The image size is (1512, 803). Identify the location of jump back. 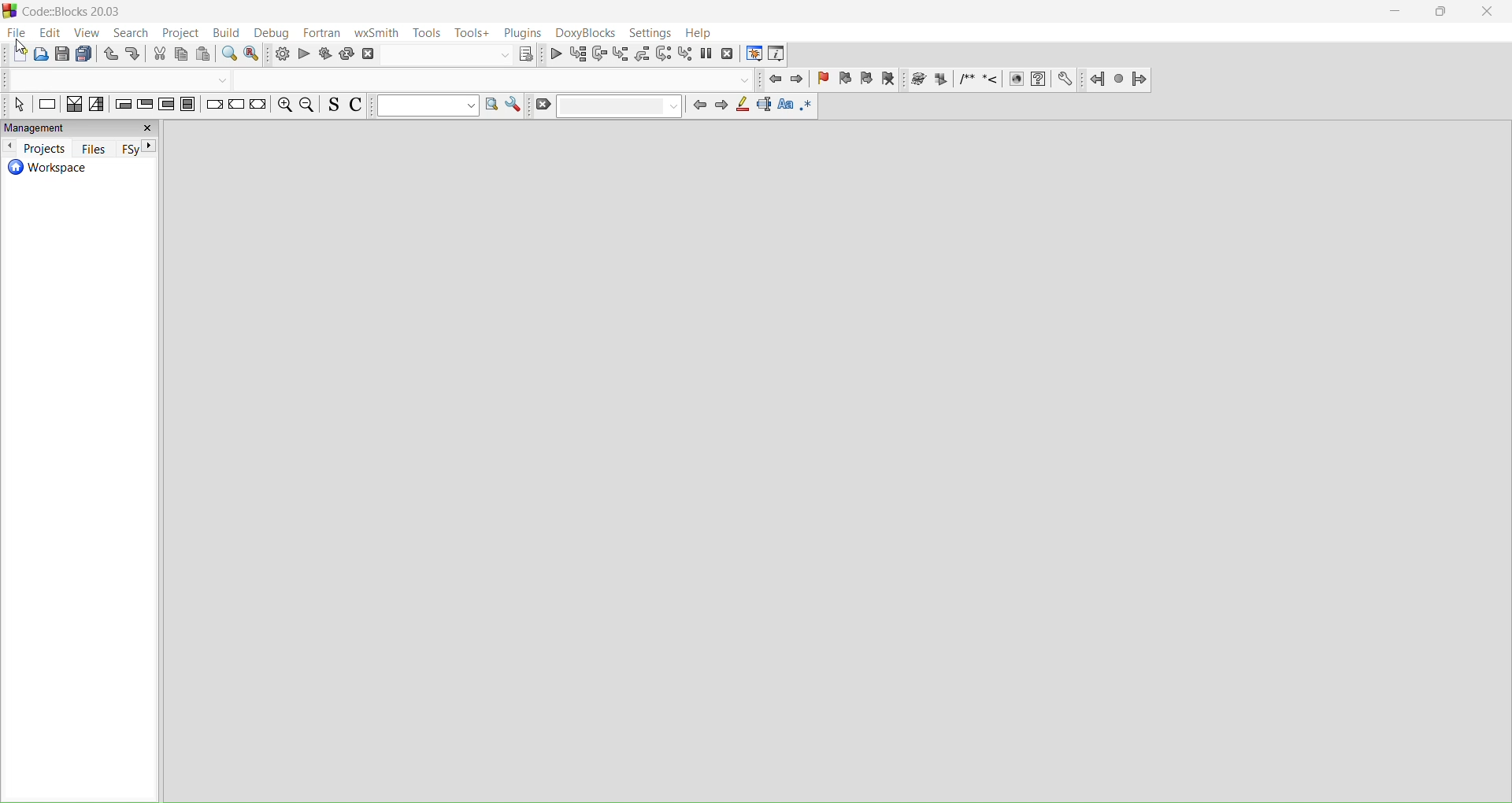
(773, 79).